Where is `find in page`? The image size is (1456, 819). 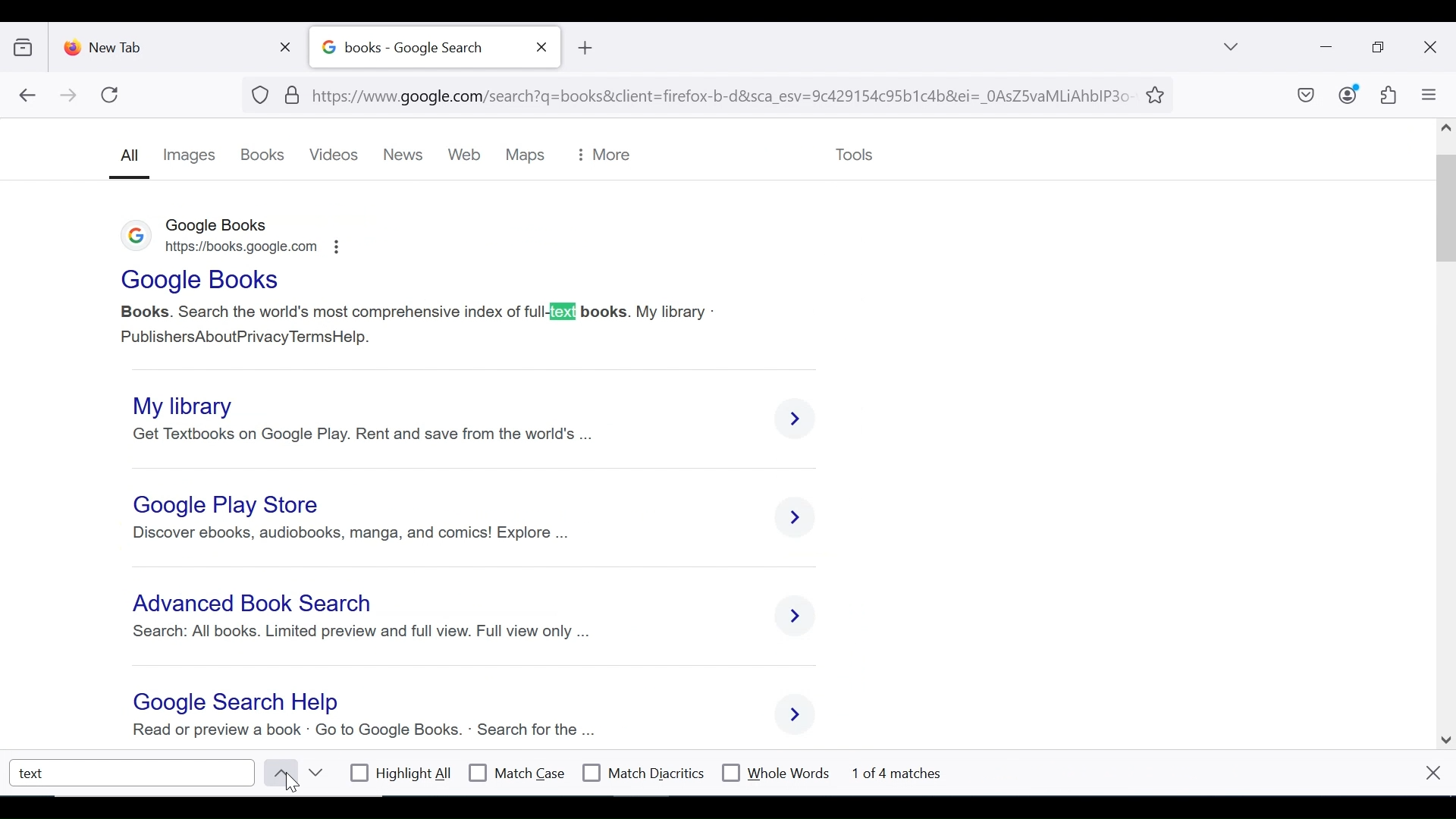 find in page is located at coordinates (133, 772).